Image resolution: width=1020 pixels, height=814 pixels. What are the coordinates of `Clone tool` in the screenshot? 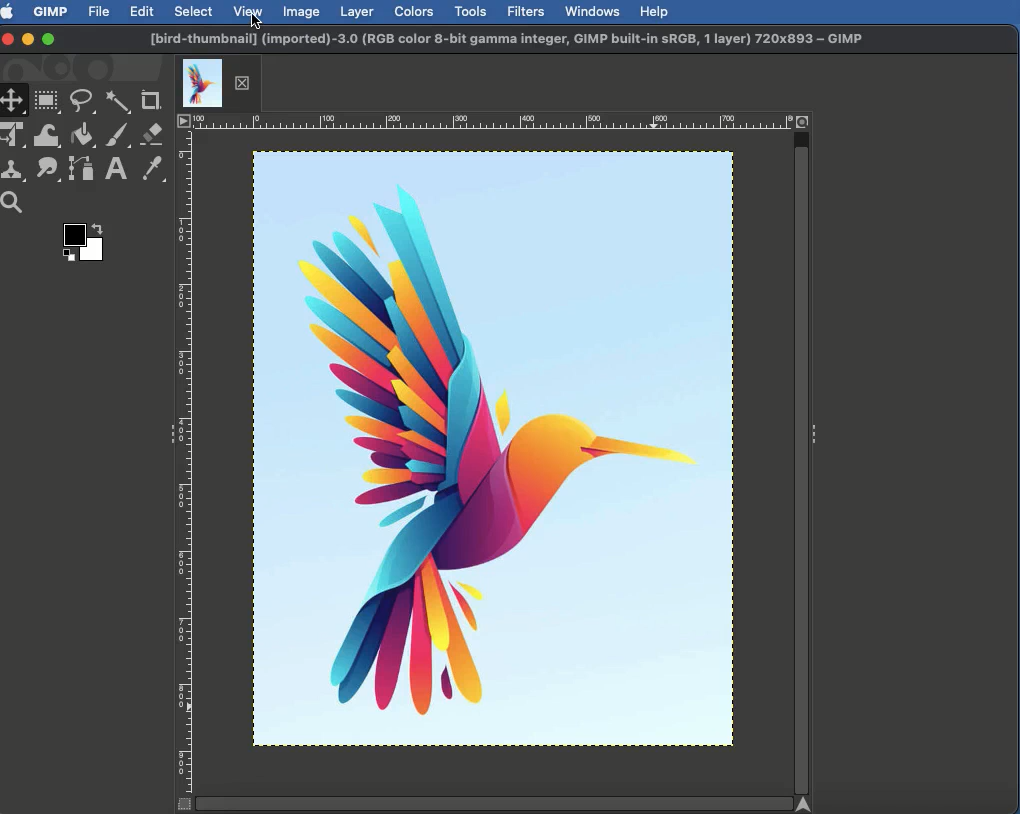 It's located at (15, 171).